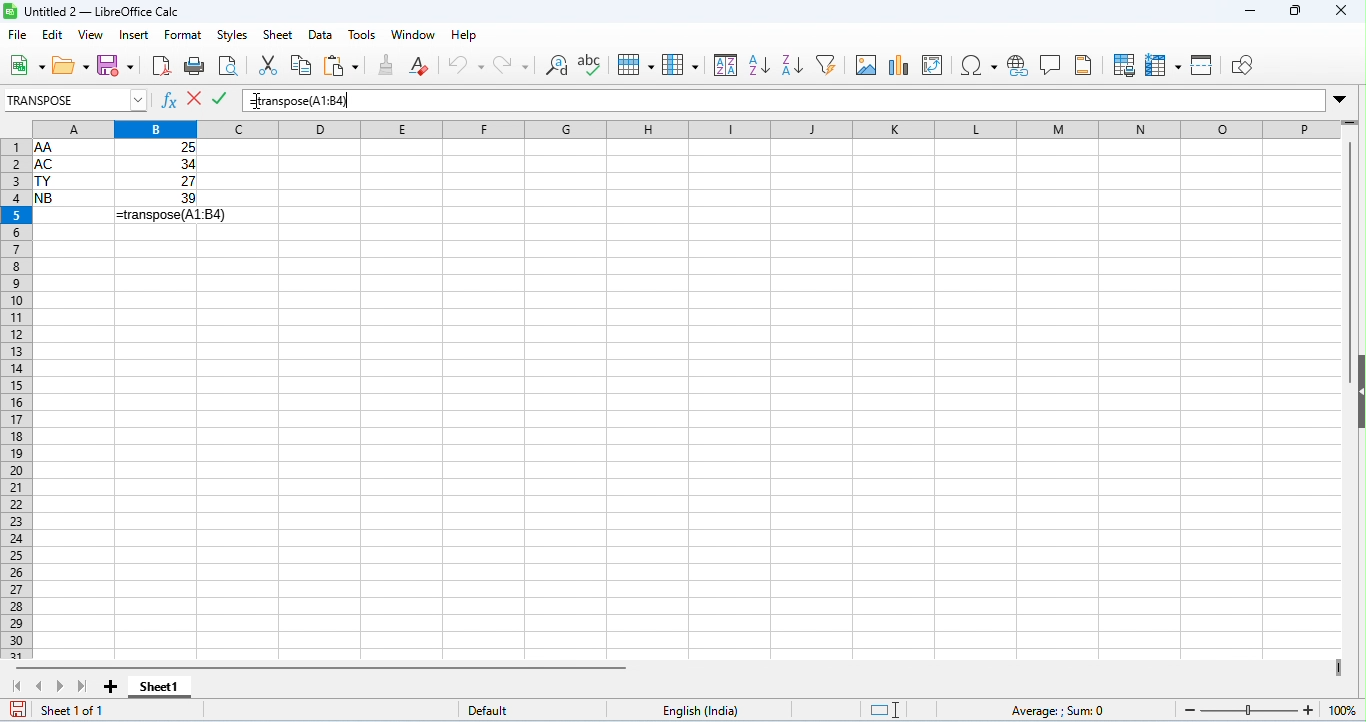 The width and height of the screenshot is (1366, 722). What do you see at coordinates (169, 101) in the screenshot?
I see `function wizard` at bounding box center [169, 101].